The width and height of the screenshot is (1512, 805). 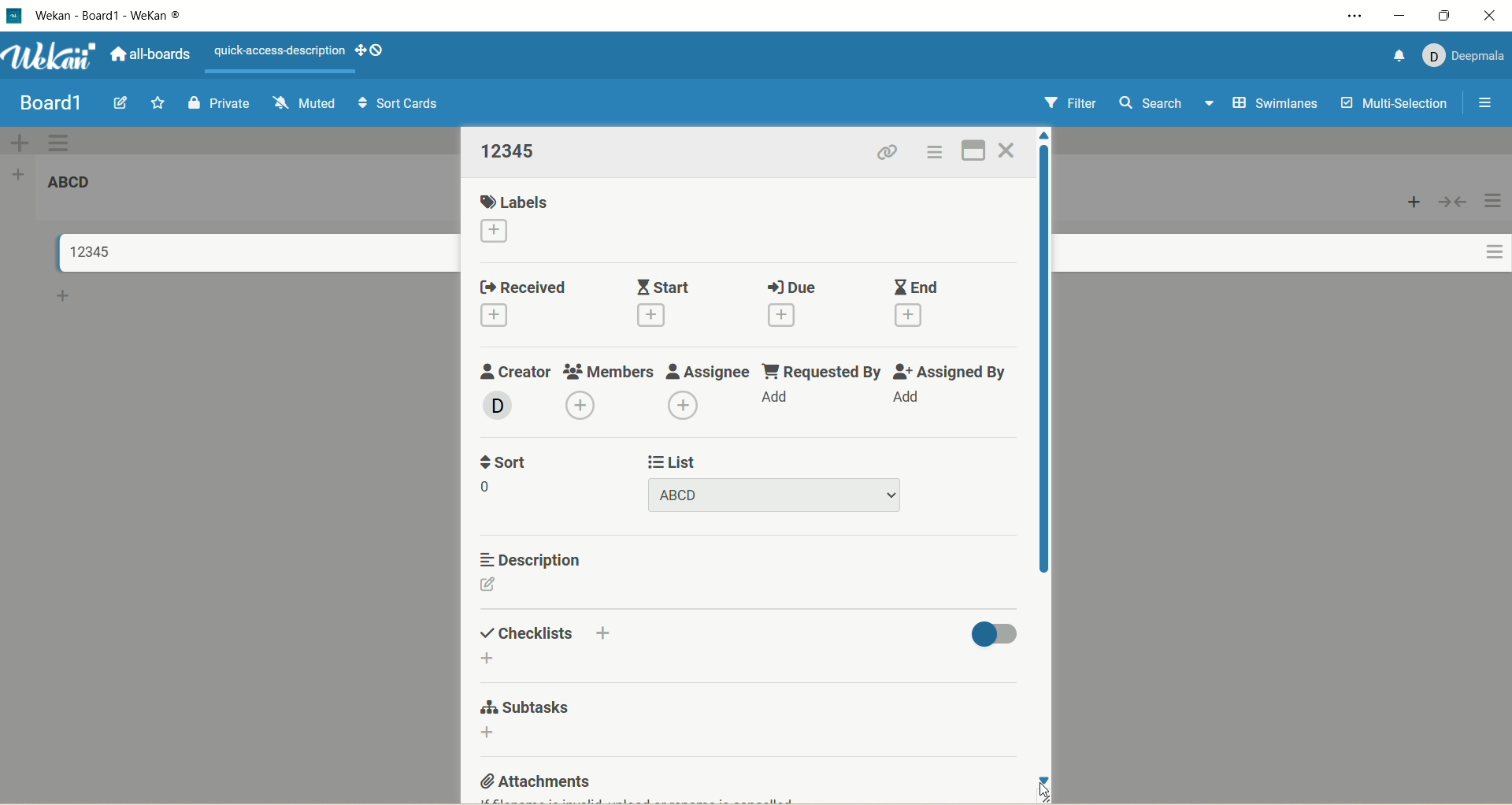 I want to click on assigned by, so click(x=956, y=373).